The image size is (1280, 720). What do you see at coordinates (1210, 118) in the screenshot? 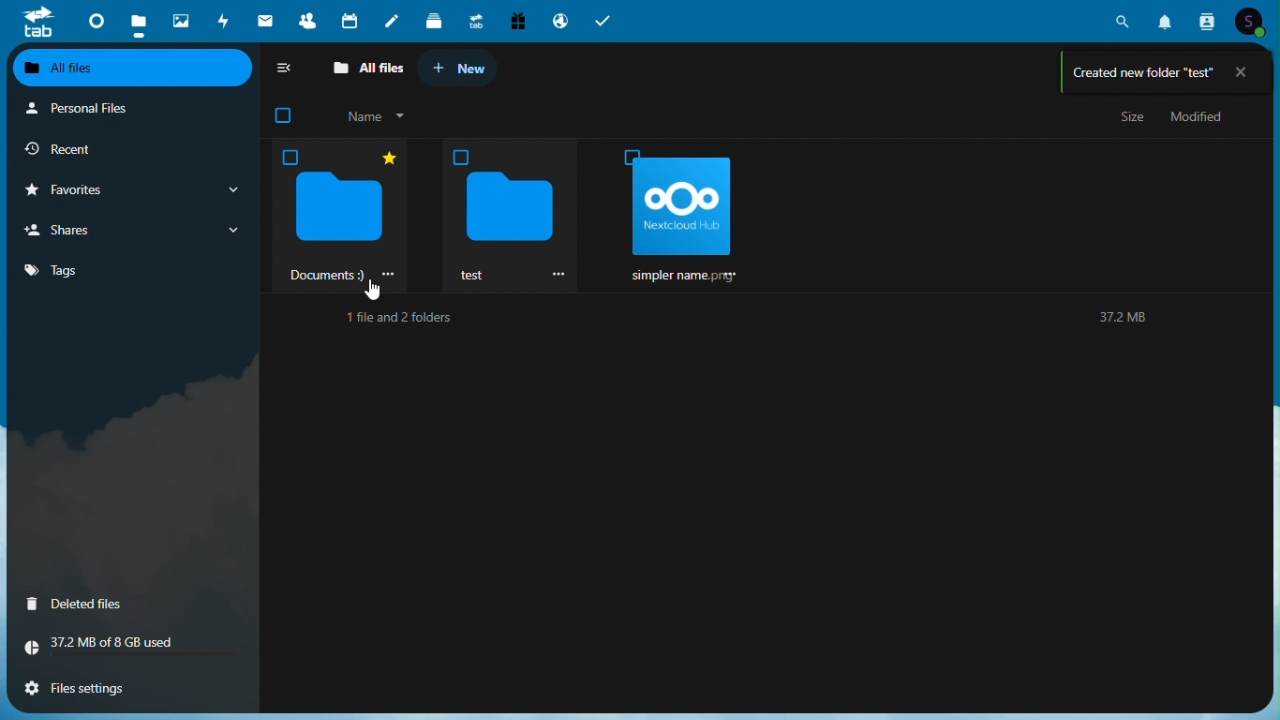
I see `Modified` at bounding box center [1210, 118].